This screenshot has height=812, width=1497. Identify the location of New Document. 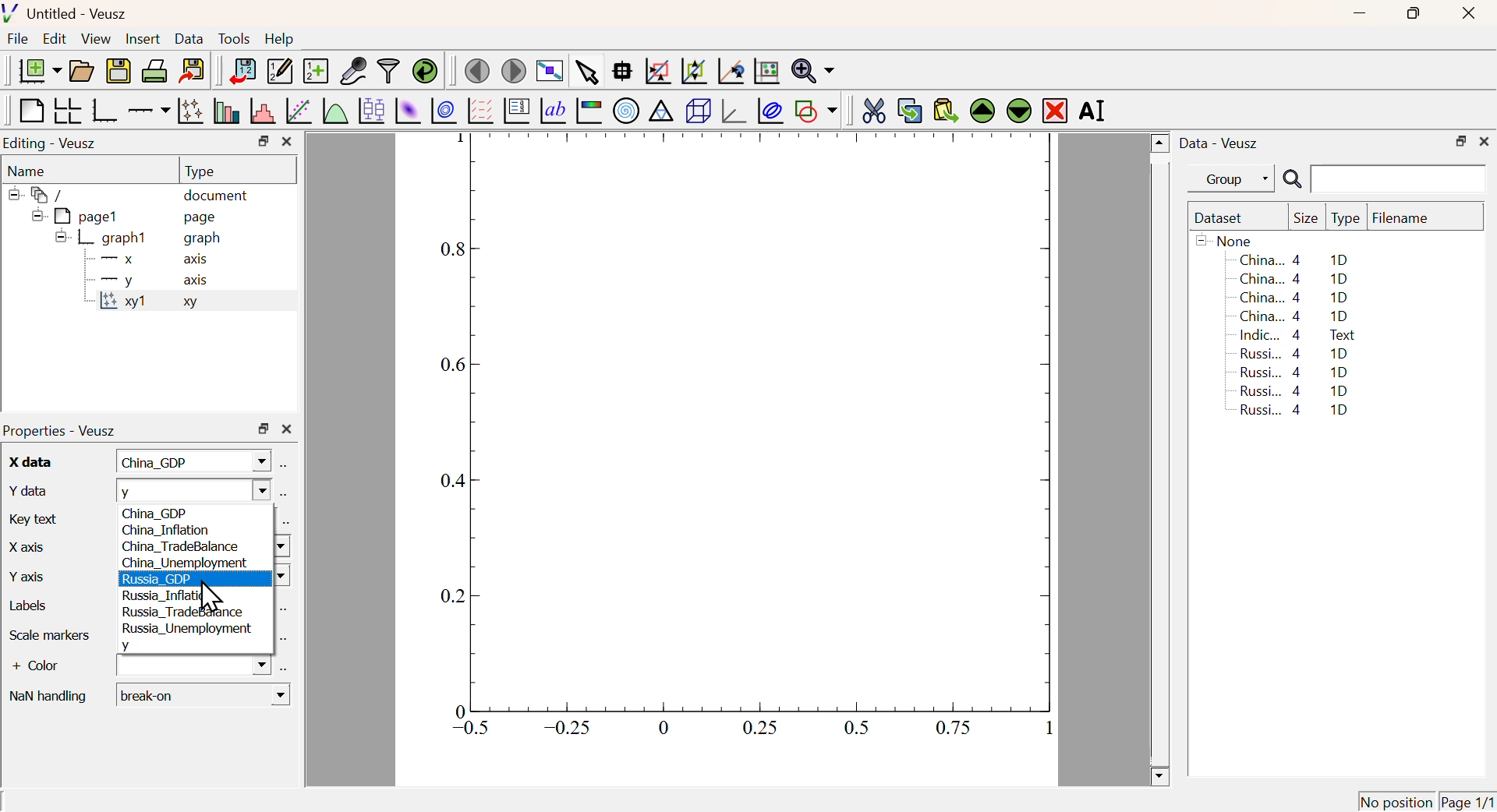
(39, 71).